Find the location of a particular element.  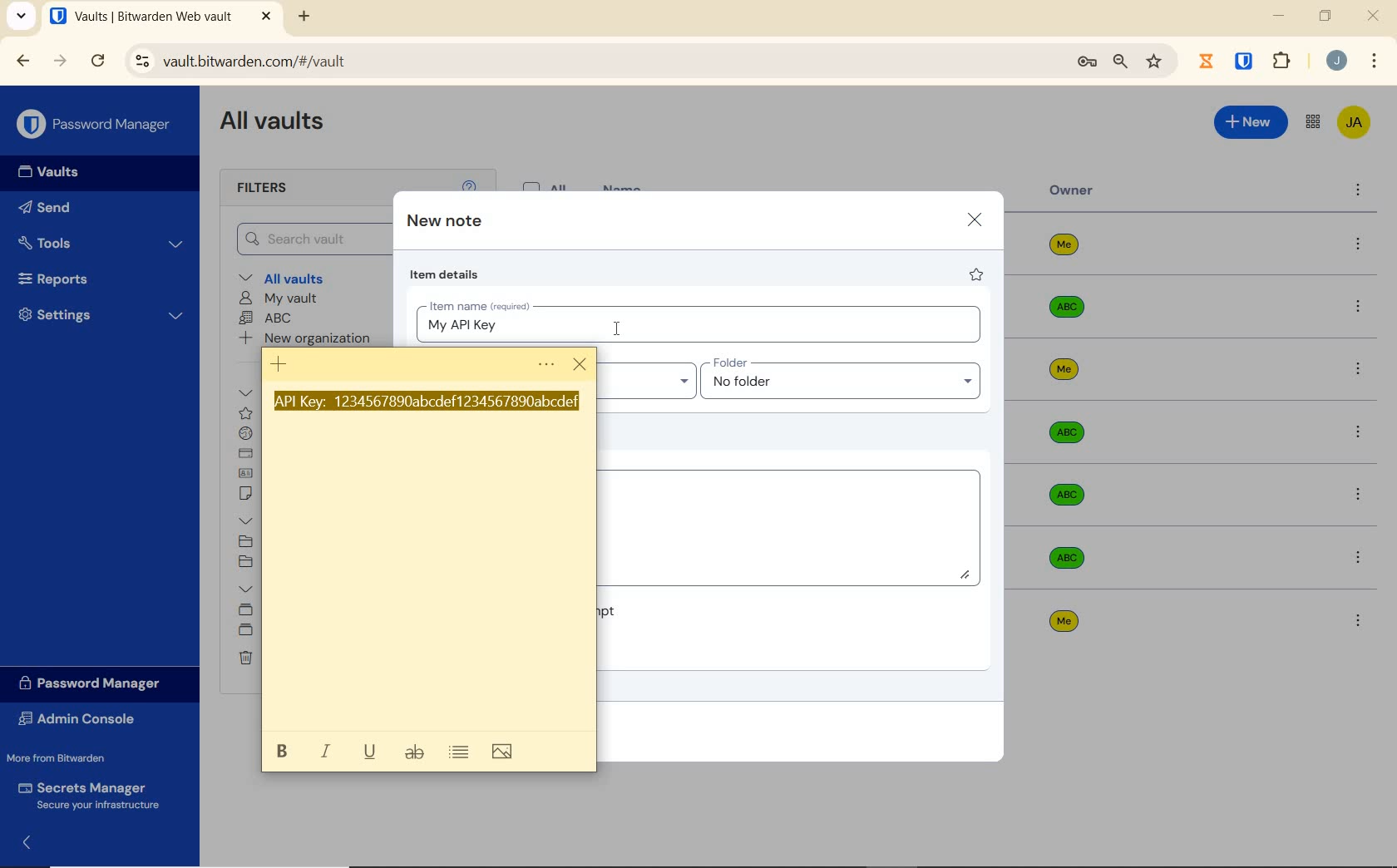

BACK is located at coordinates (23, 60).